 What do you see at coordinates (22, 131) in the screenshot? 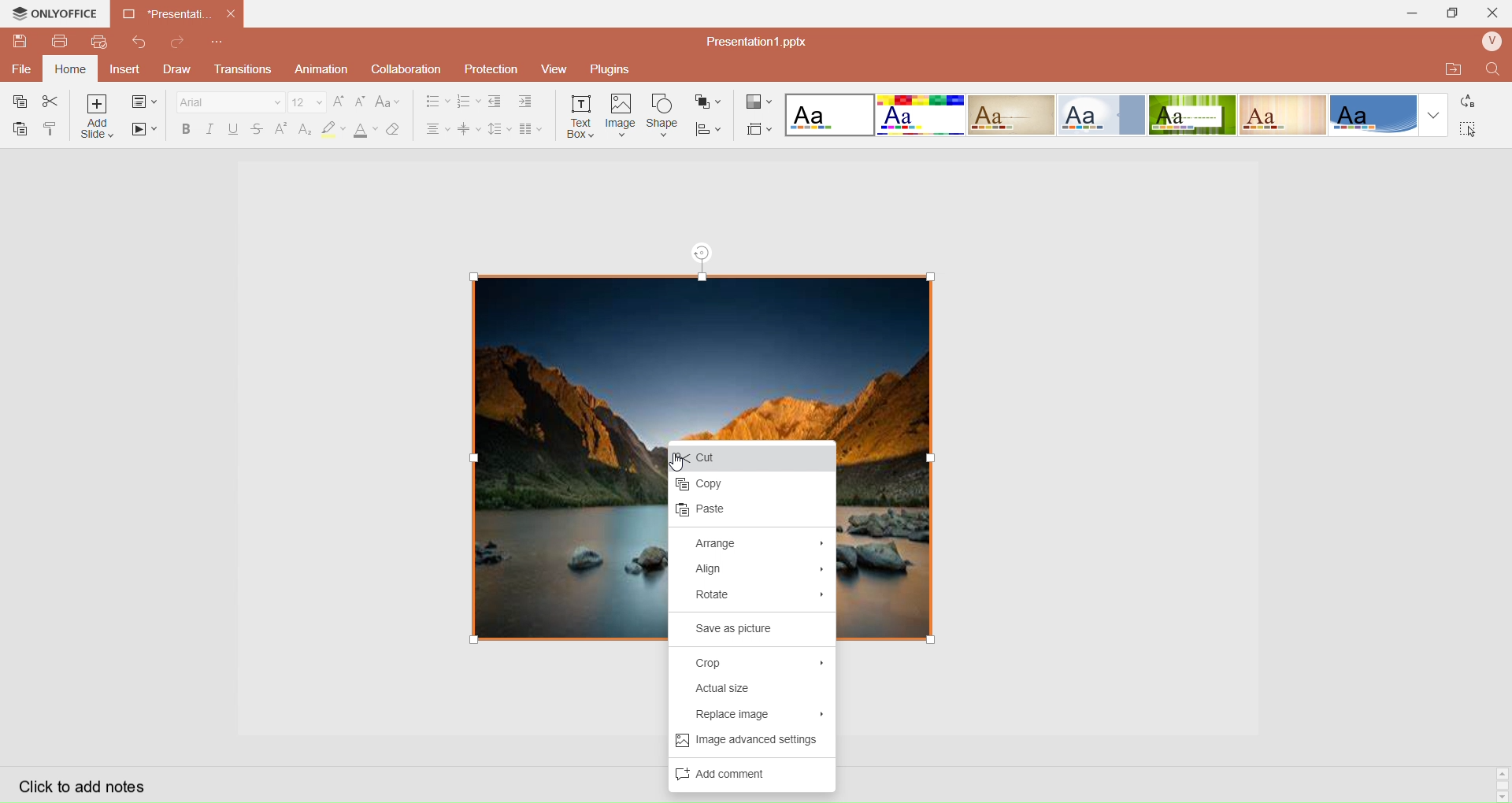
I see `Paste` at bounding box center [22, 131].